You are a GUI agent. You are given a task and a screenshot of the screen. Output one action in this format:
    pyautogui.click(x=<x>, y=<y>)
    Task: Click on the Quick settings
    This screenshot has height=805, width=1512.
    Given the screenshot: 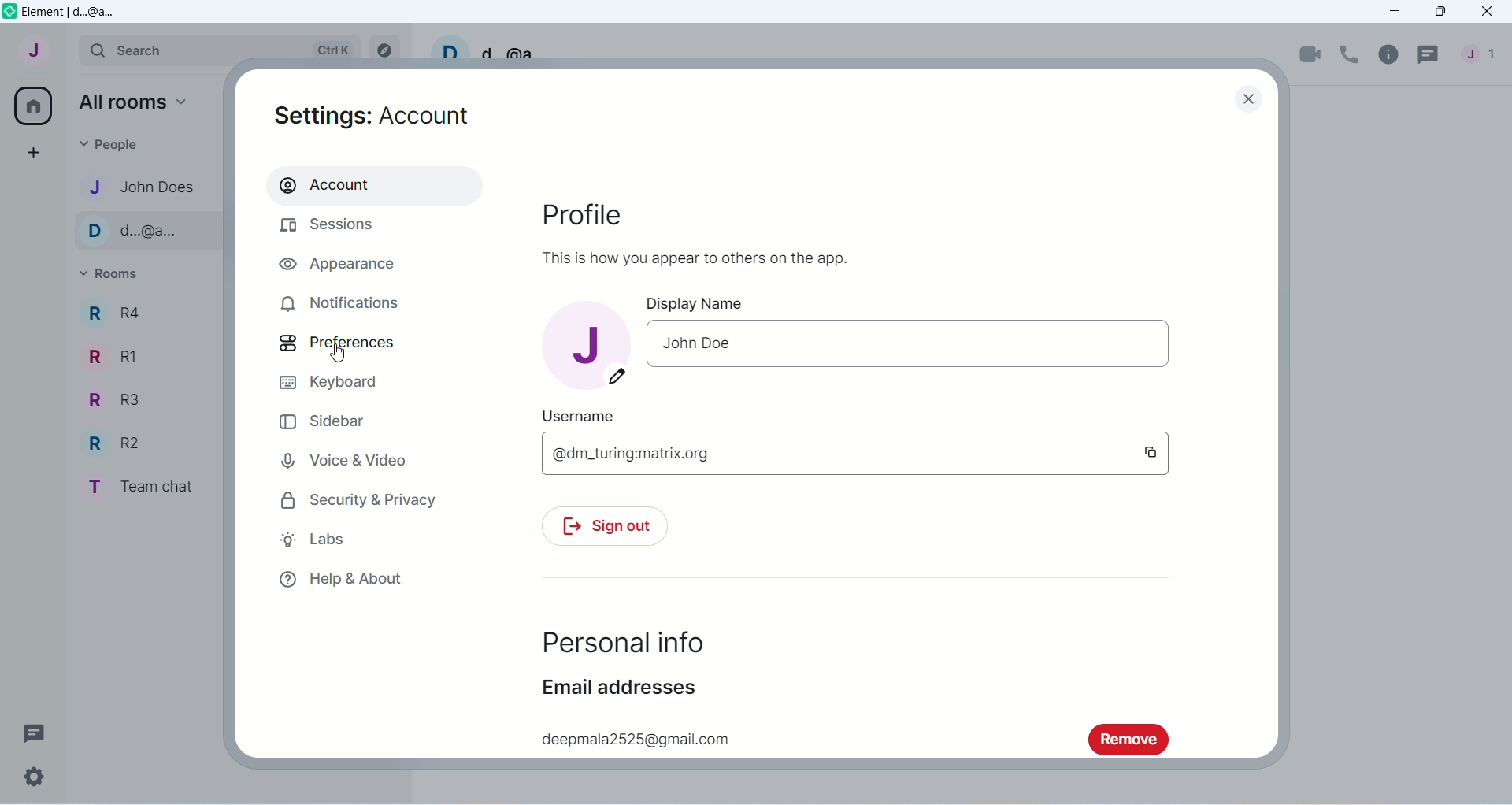 What is the action you would take?
    pyautogui.click(x=39, y=773)
    